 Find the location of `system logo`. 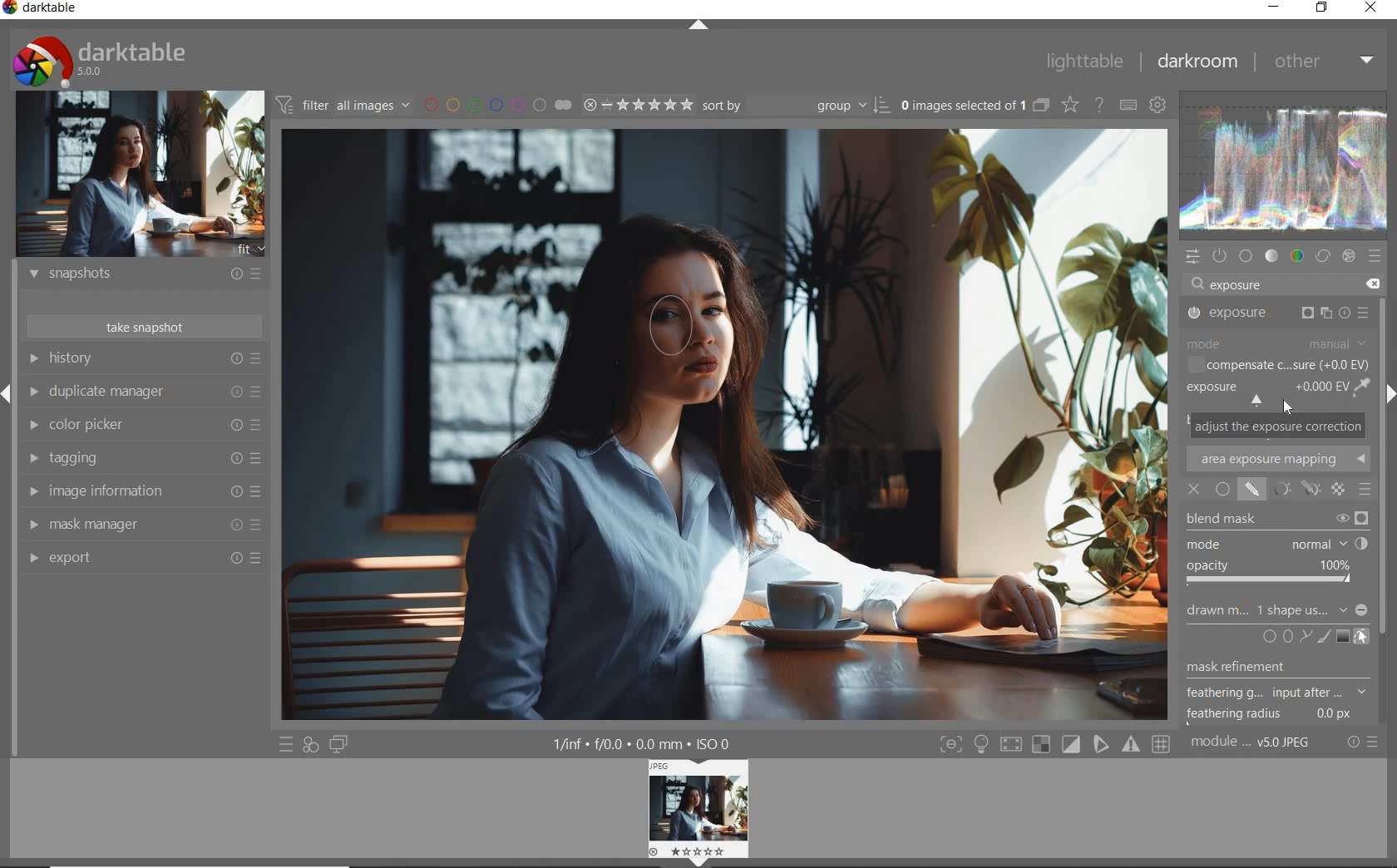

system logo is located at coordinates (101, 61).